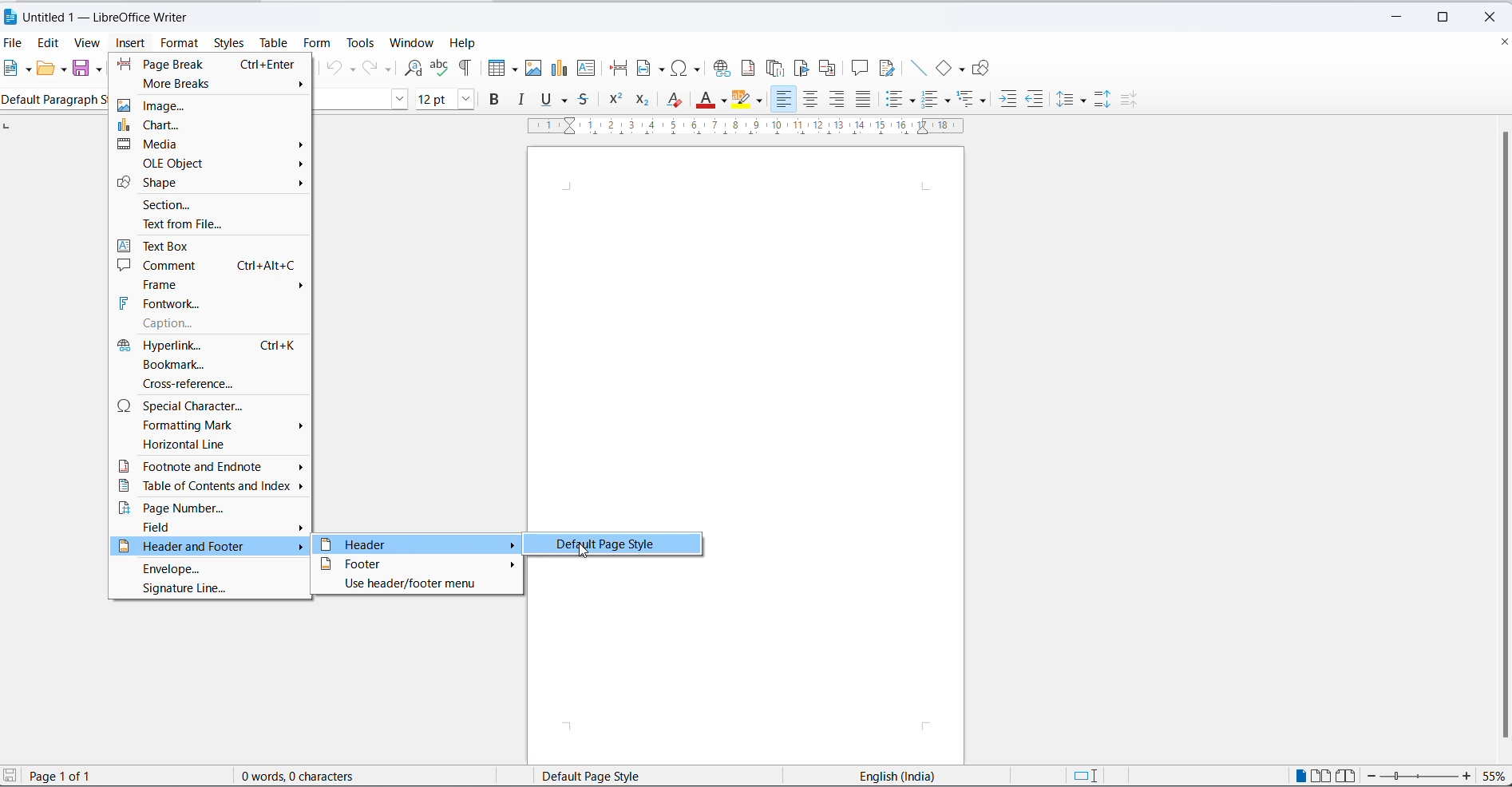  What do you see at coordinates (214, 105) in the screenshot?
I see `image` at bounding box center [214, 105].